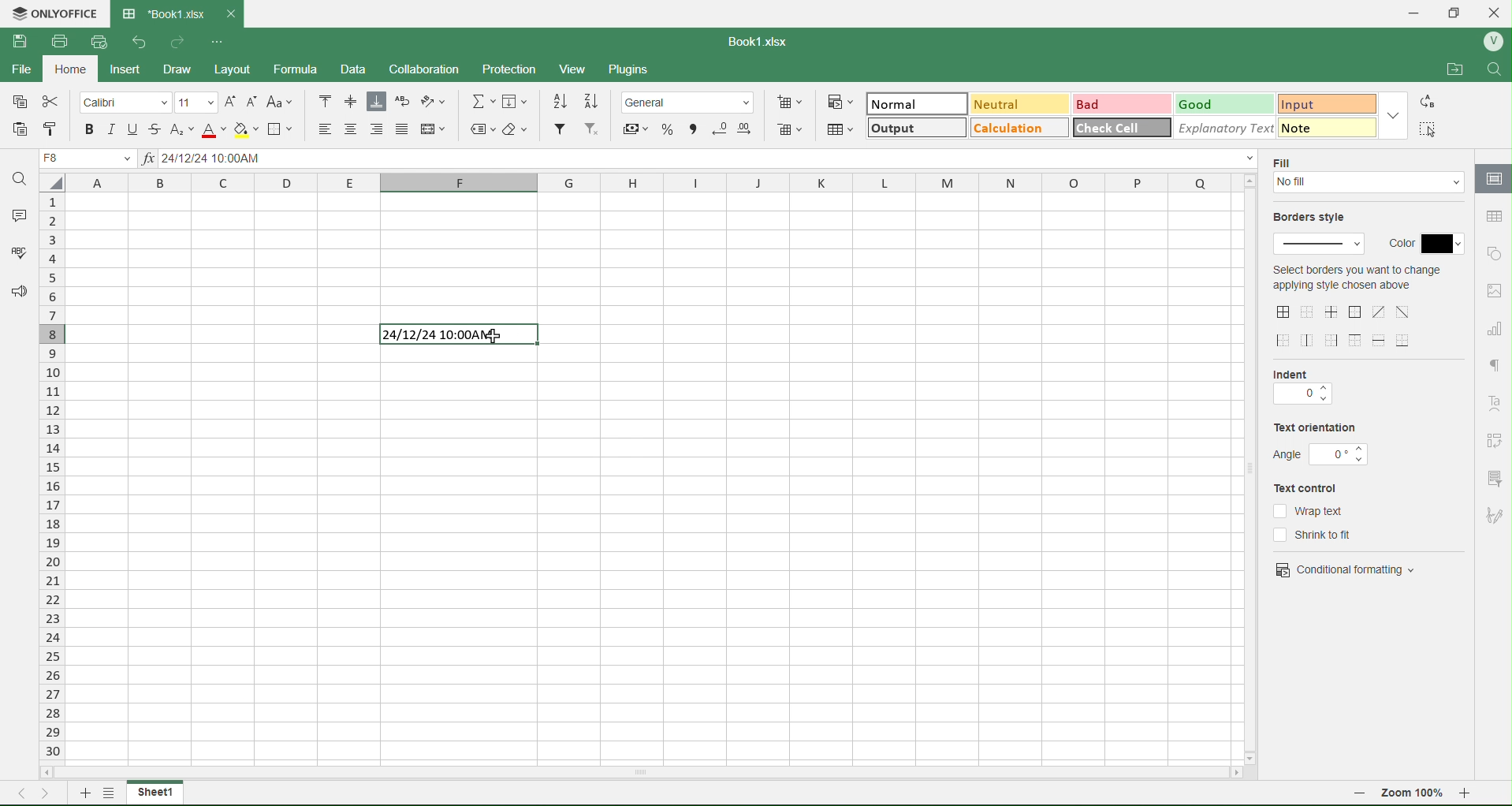  What do you see at coordinates (26, 792) in the screenshot?
I see `perious sheet` at bounding box center [26, 792].